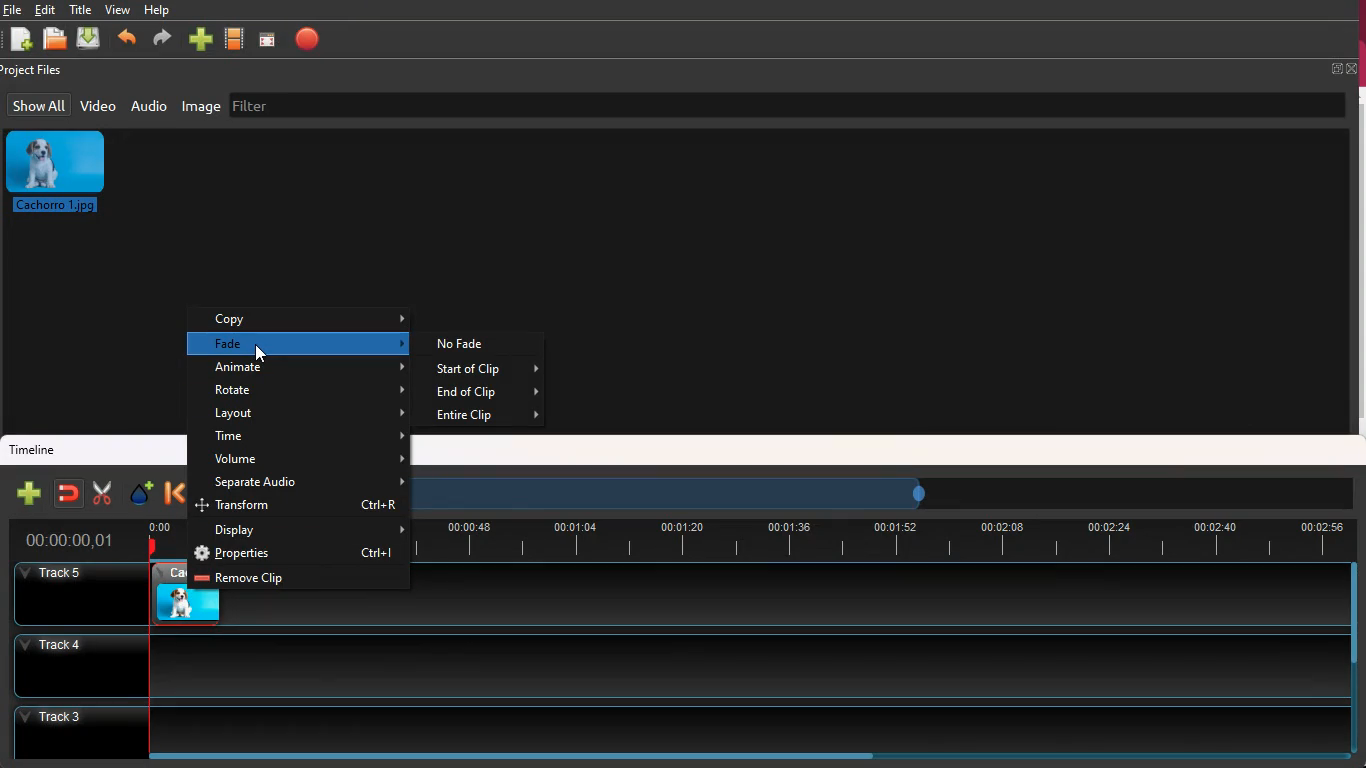 This screenshot has width=1366, height=768. Describe the element at coordinates (261, 353) in the screenshot. I see `cursor` at that location.